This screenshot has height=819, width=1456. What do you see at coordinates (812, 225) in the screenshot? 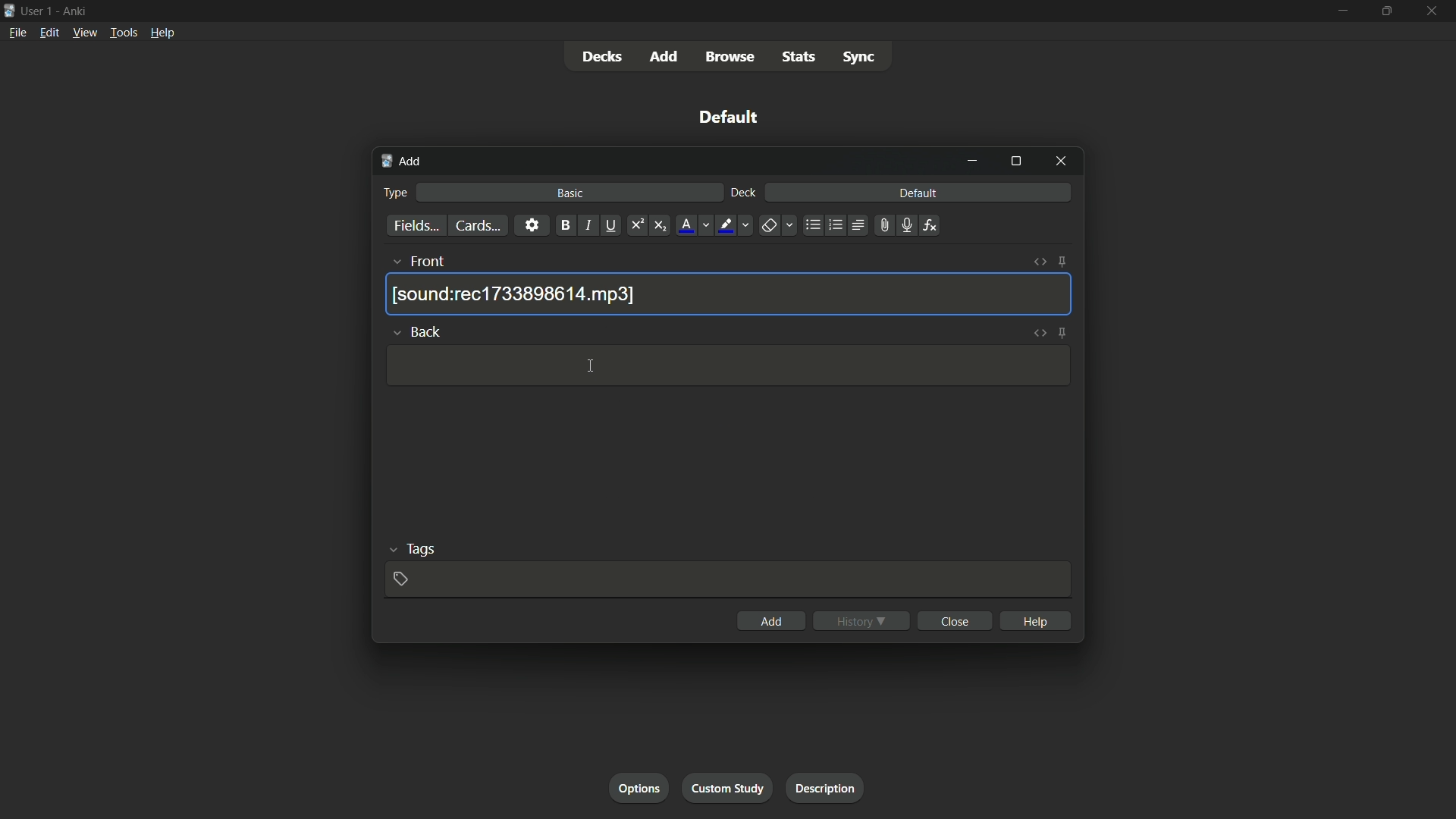
I see `unordered list` at bounding box center [812, 225].